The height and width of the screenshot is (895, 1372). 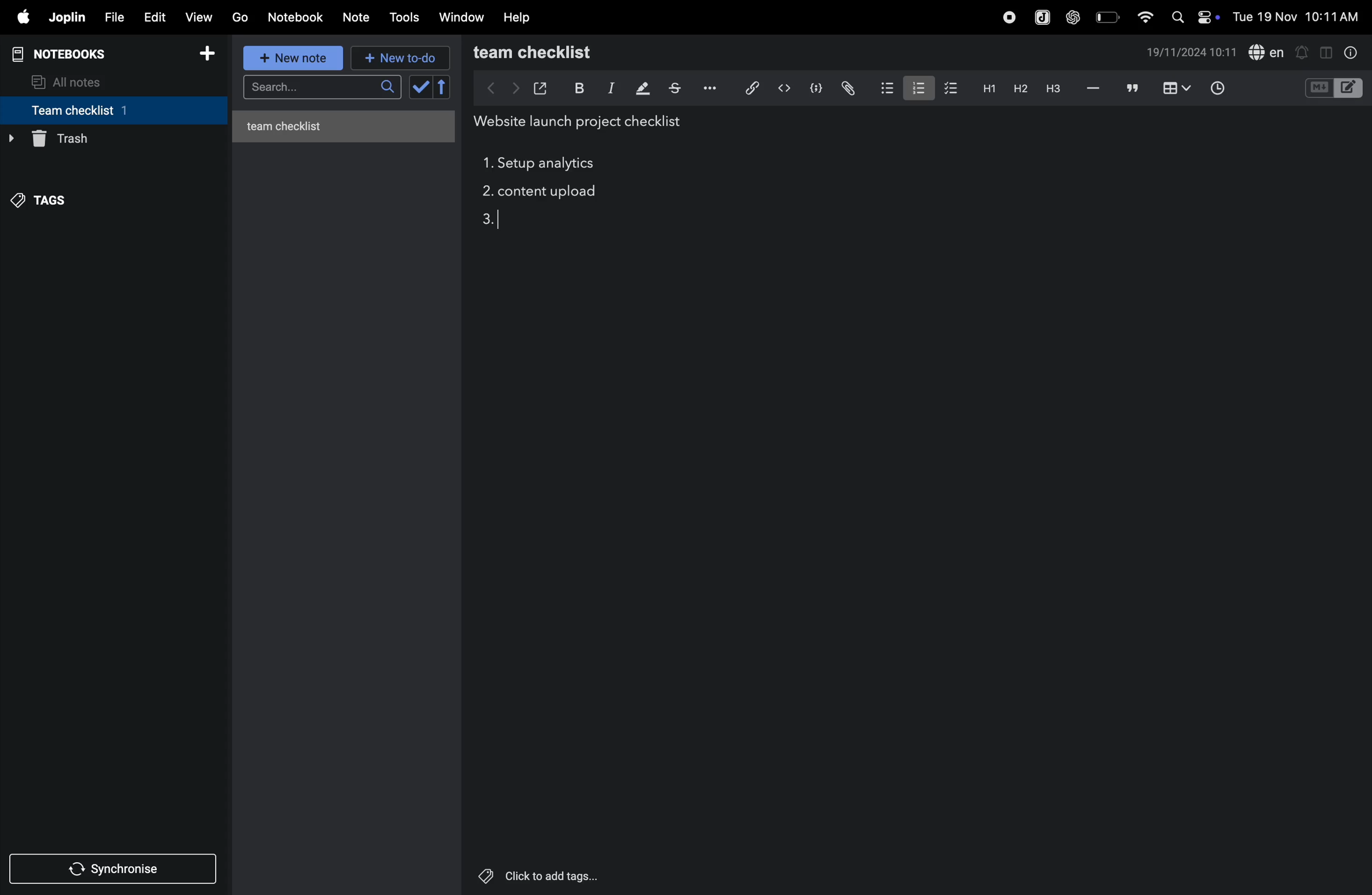 I want to click on window, so click(x=461, y=18).